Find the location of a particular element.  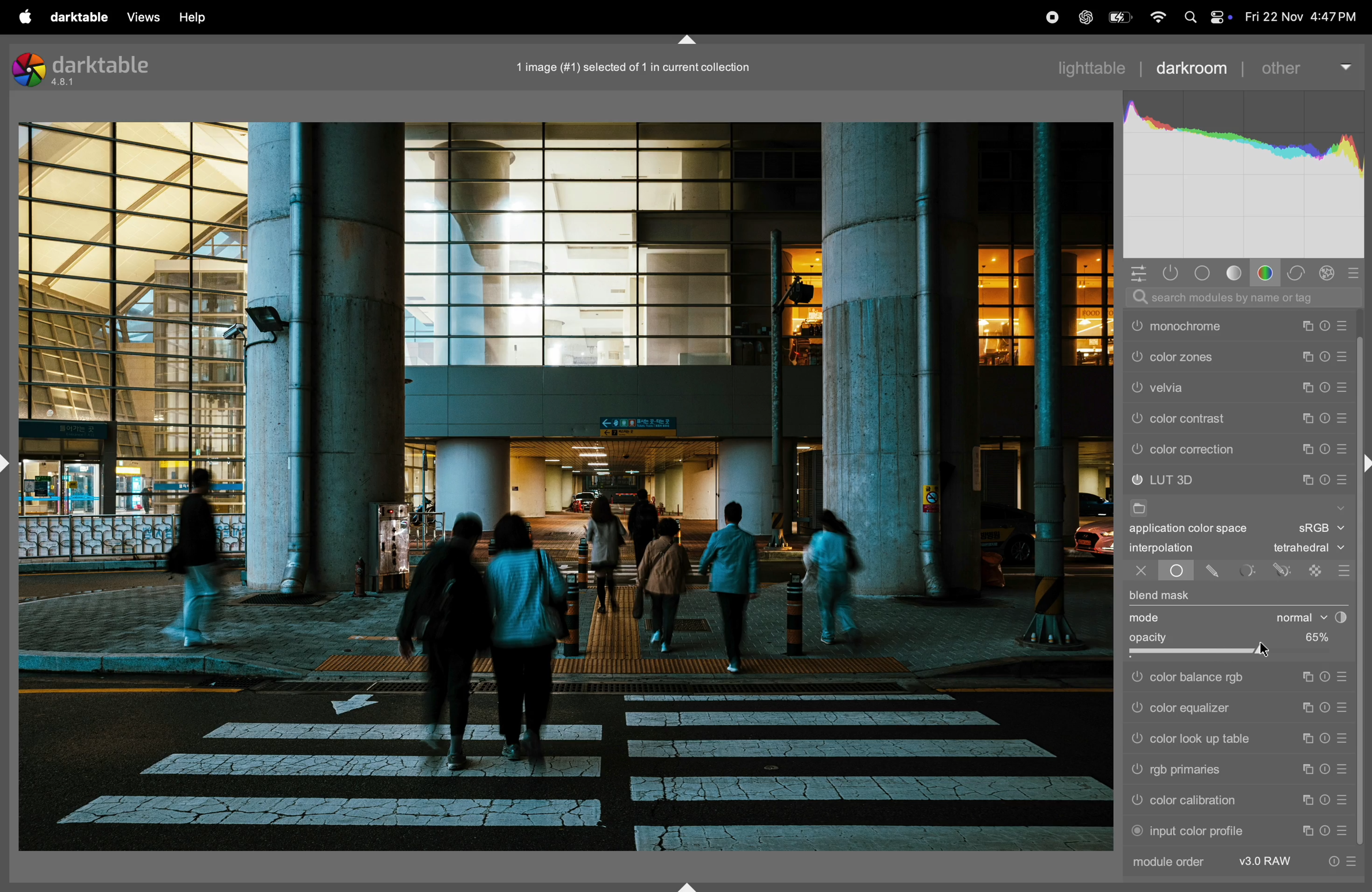

color calibration is located at coordinates (1205, 800).